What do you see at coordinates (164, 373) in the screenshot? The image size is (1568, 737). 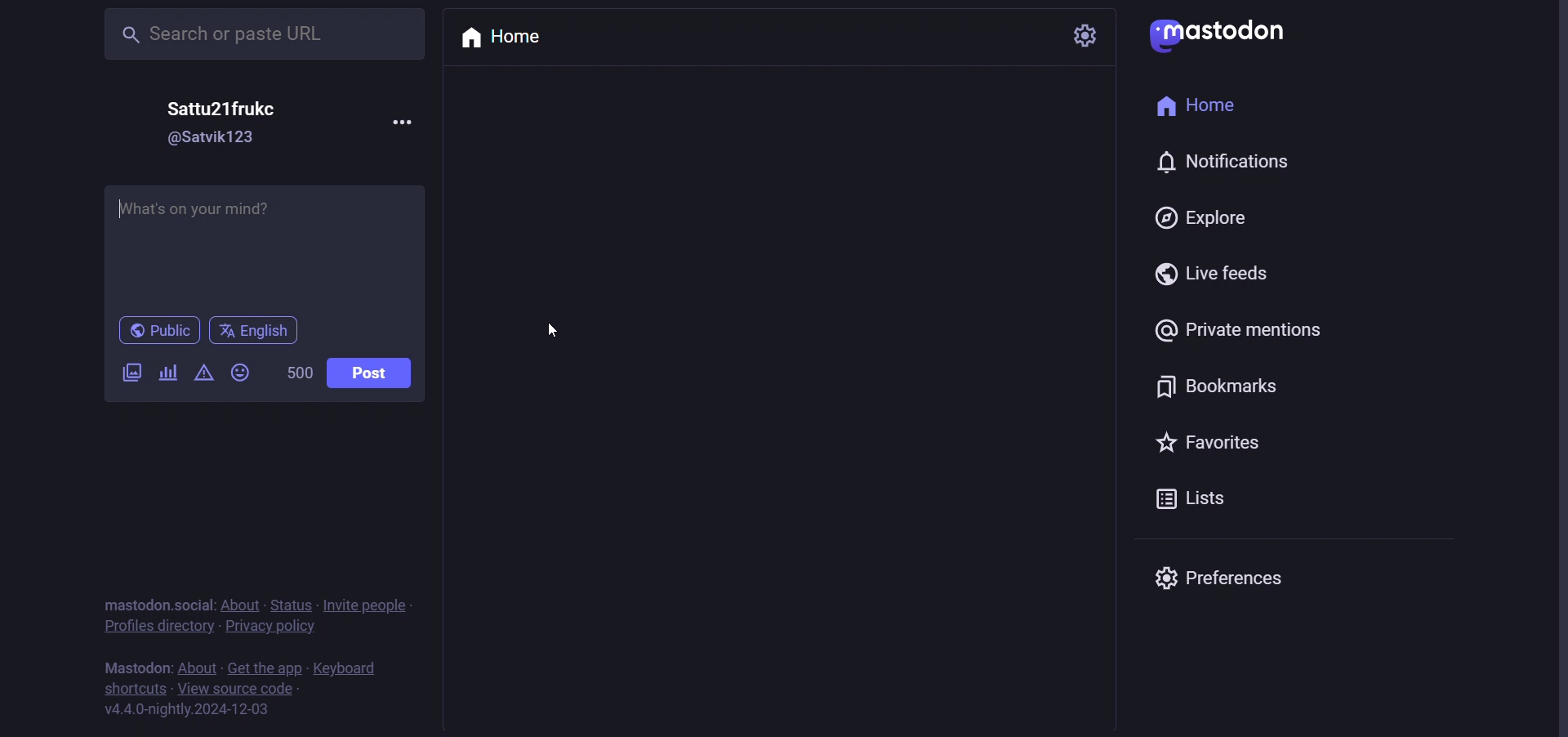 I see `poll` at bounding box center [164, 373].